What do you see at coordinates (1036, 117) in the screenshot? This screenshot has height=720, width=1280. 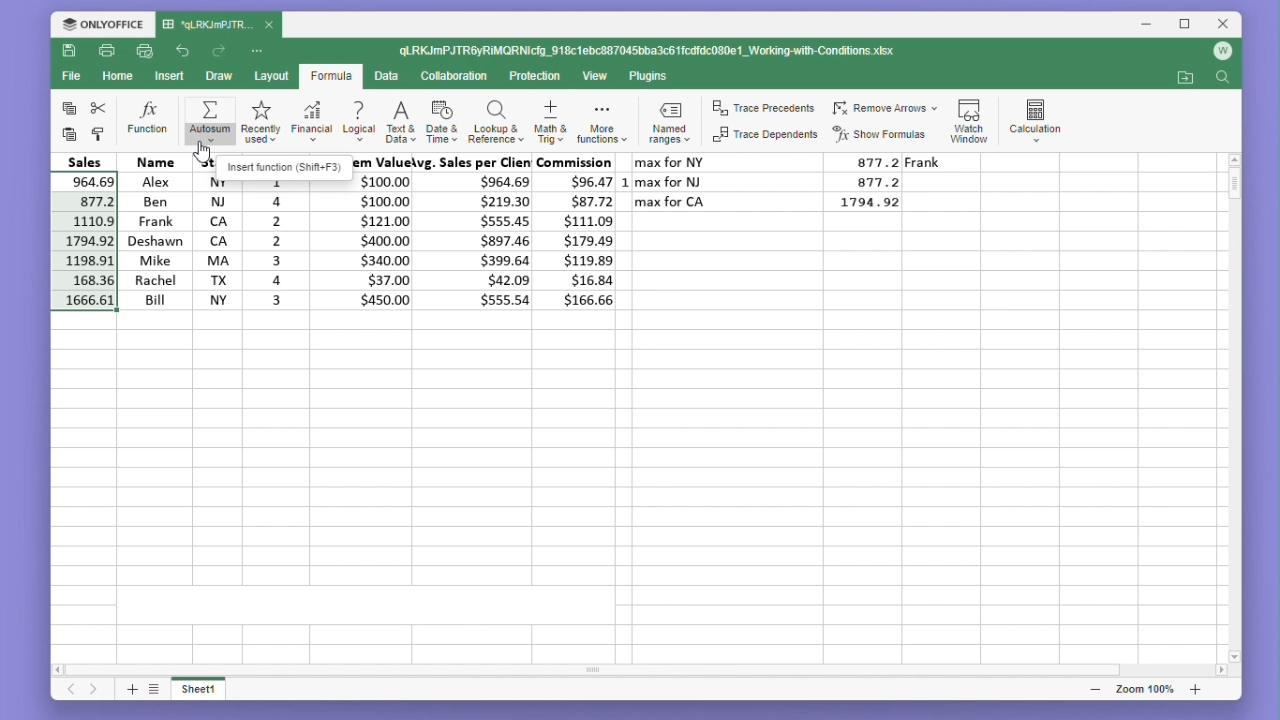 I see `Calculation` at bounding box center [1036, 117].